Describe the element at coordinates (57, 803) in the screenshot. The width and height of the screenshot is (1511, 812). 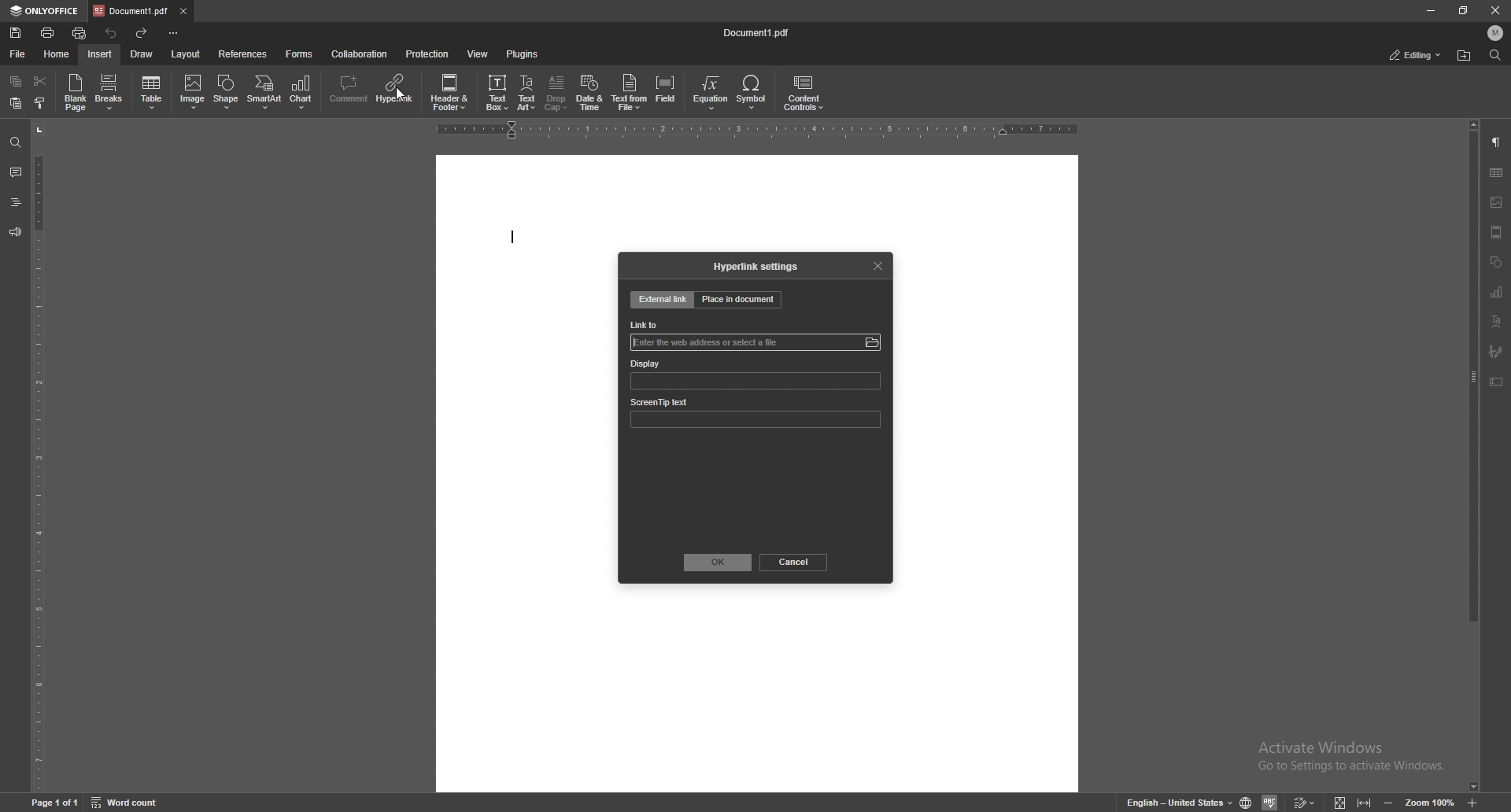
I see `page 1 of 1` at that location.